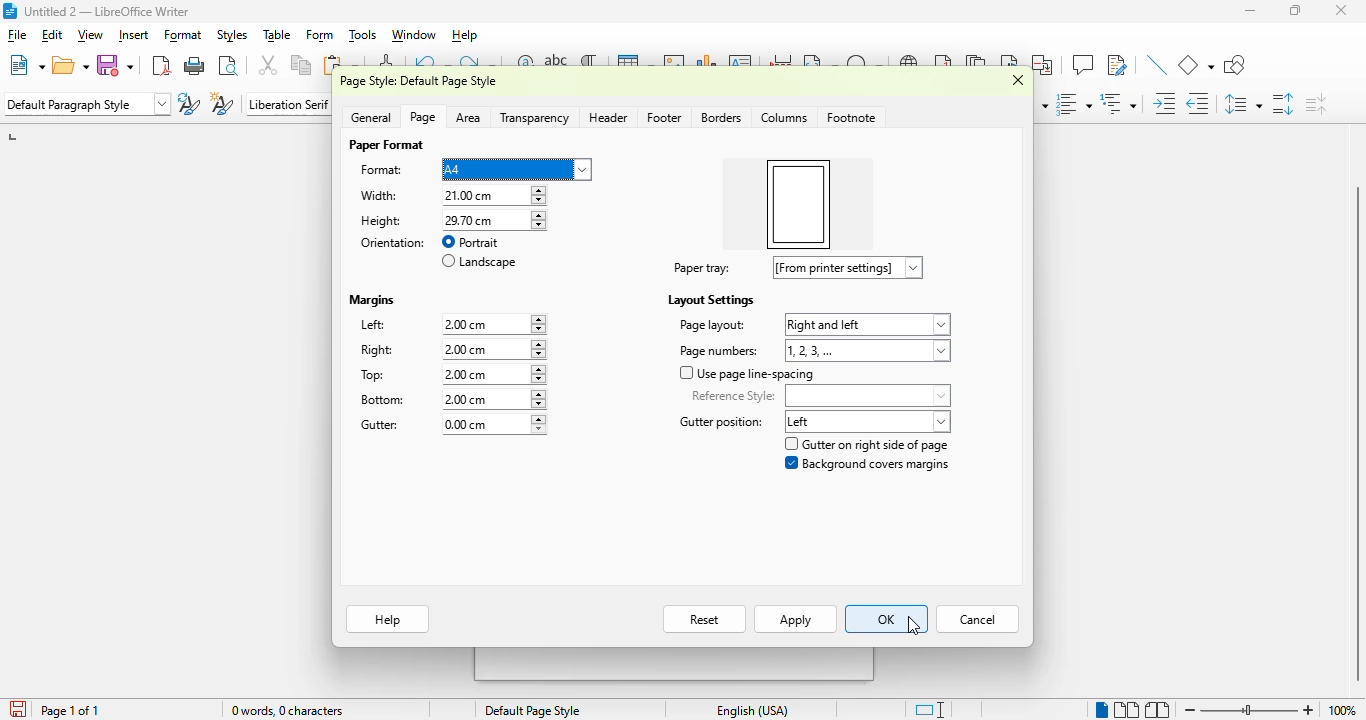 This screenshot has width=1366, height=720. I want to click on transparency, so click(535, 119).